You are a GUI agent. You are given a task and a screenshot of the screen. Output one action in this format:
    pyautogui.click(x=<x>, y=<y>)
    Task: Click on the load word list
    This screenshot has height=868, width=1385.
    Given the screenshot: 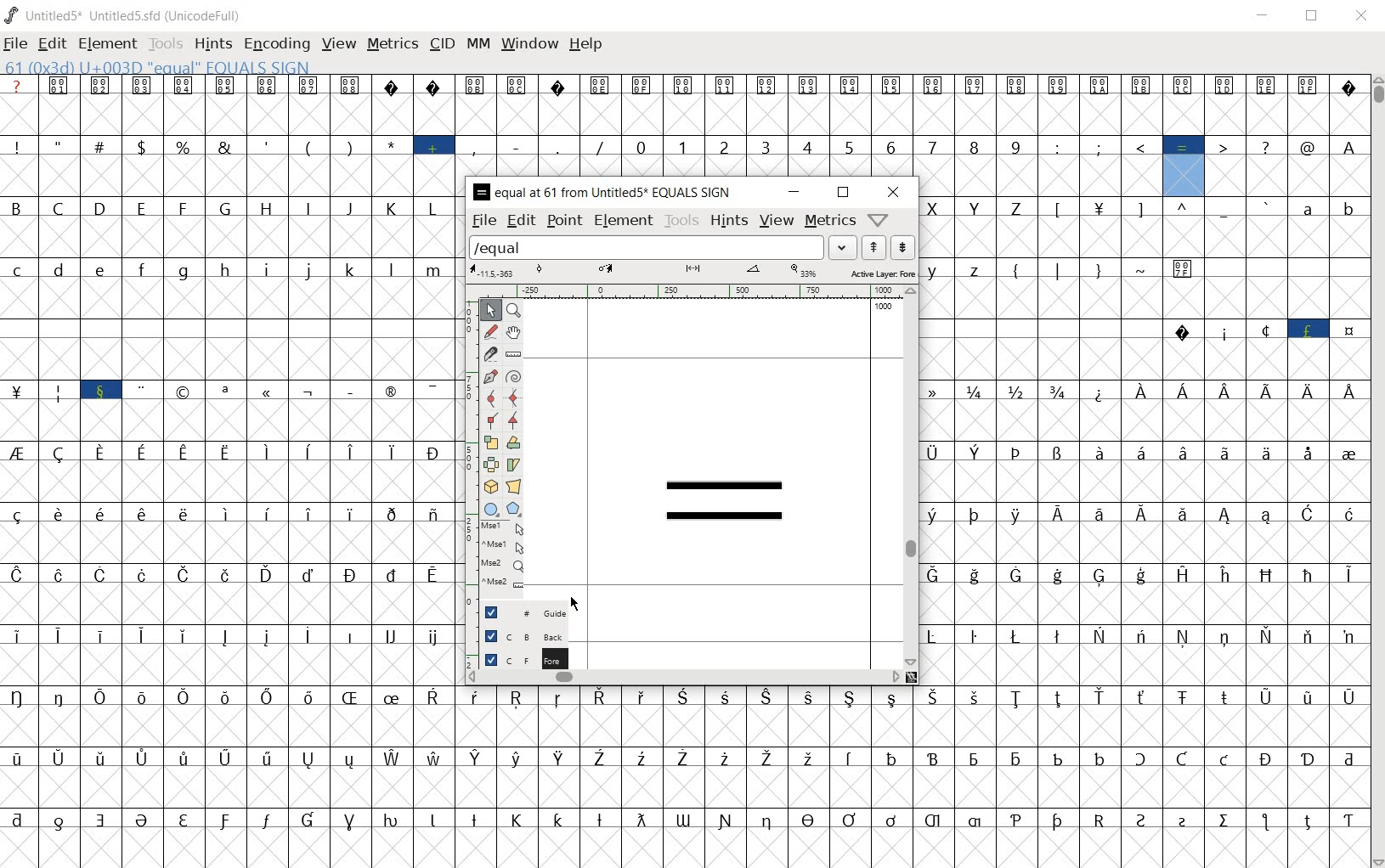 What is the action you would take?
    pyautogui.click(x=662, y=248)
    